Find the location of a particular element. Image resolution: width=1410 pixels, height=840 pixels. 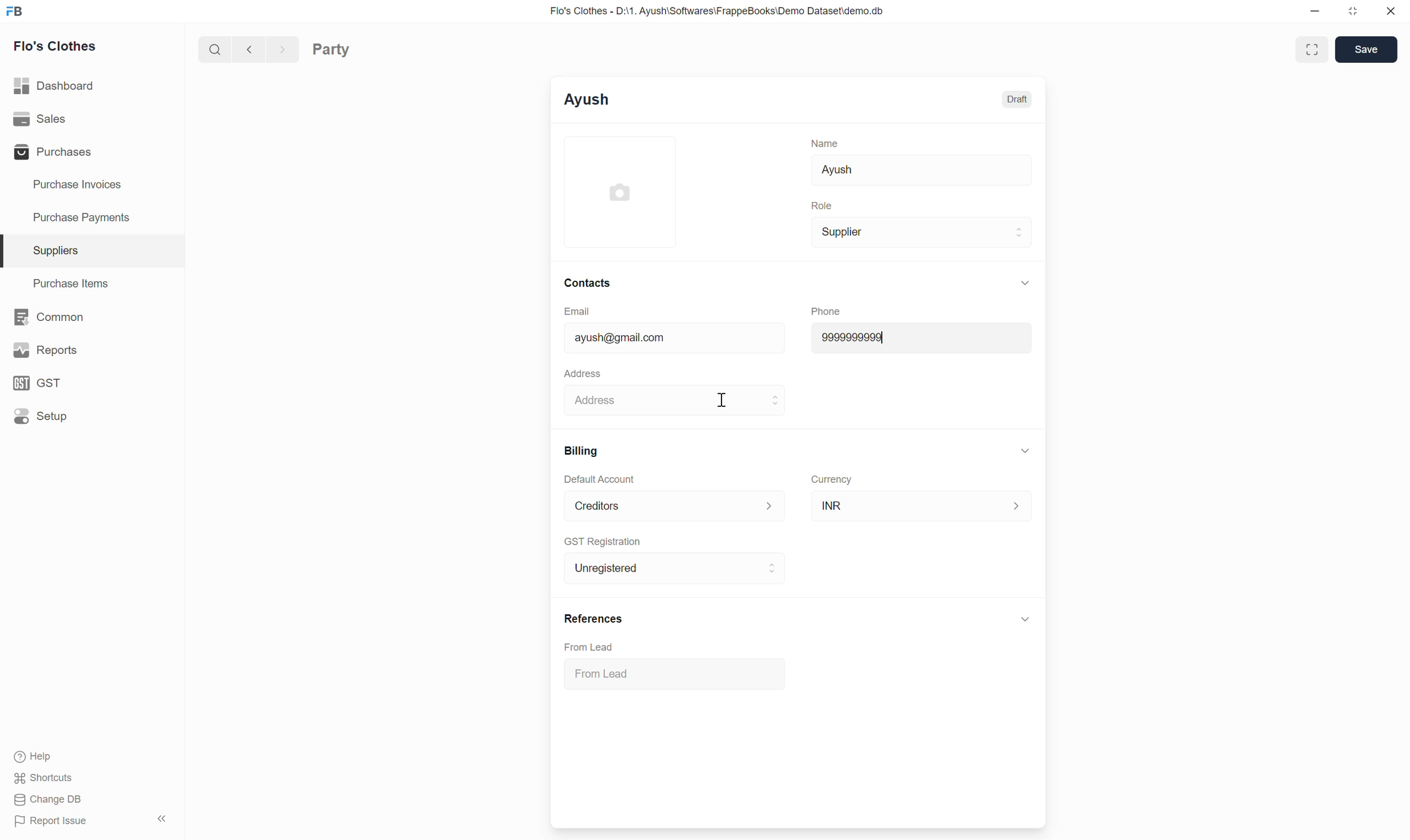

Currency is located at coordinates (832, 480).